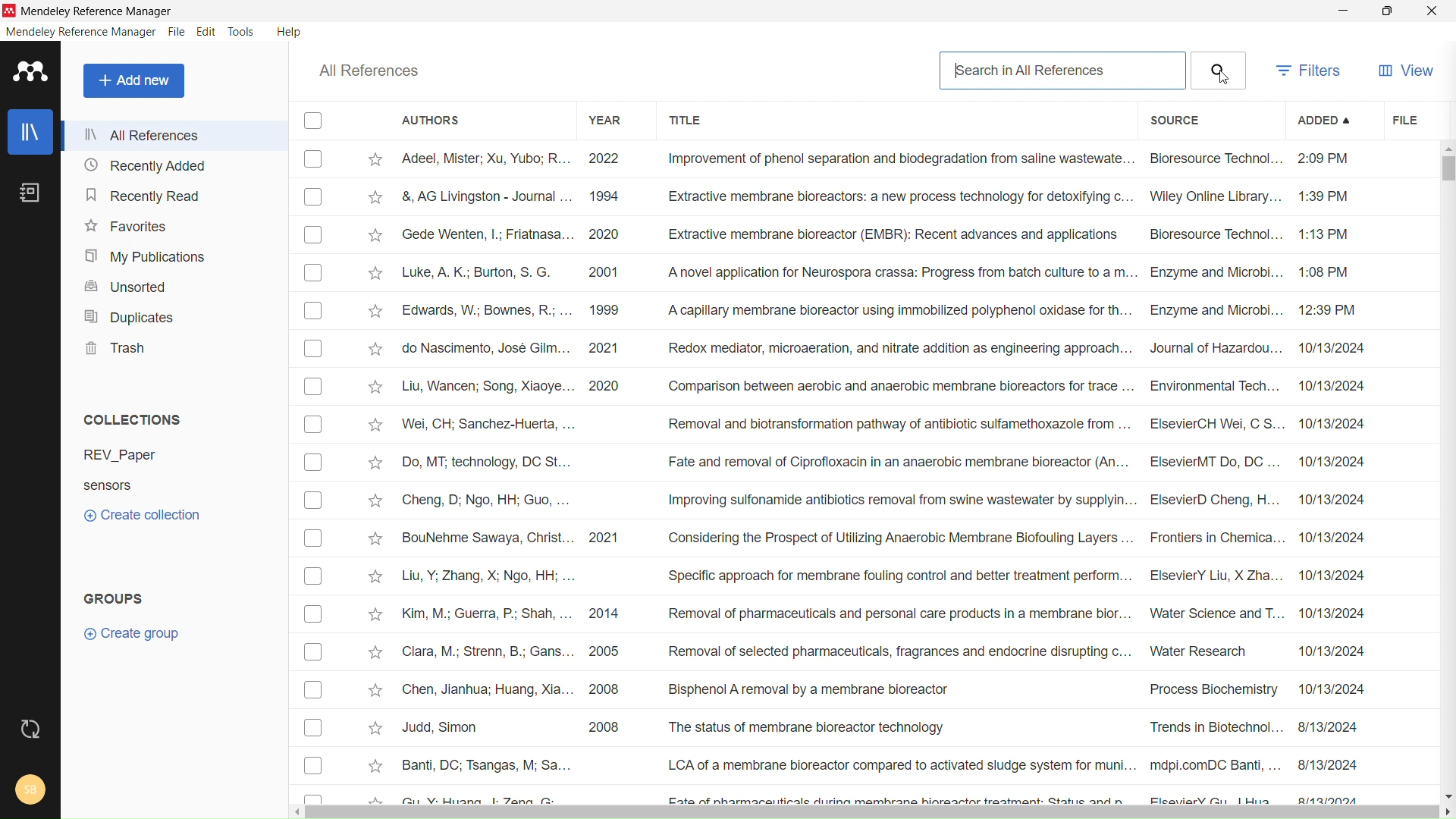  Describe the element at coordinates (207, 31) in the screenshot. I see `edit` at that location.